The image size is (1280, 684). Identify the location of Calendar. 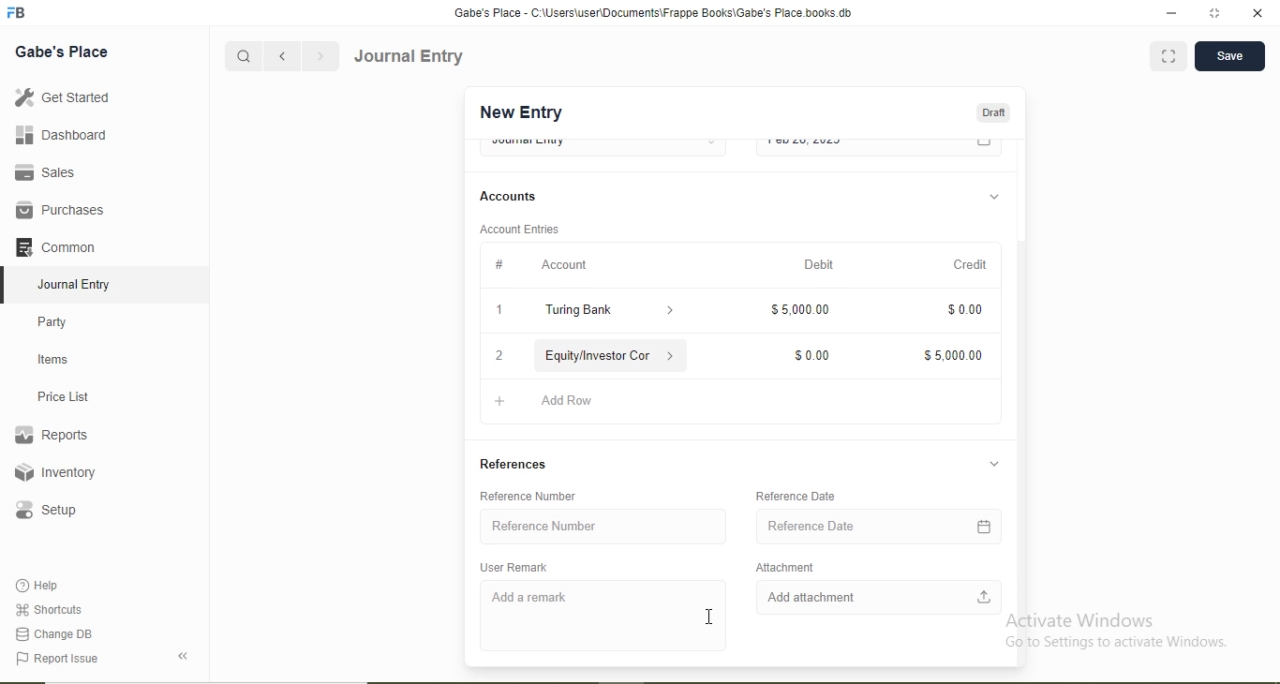
(985, 527).